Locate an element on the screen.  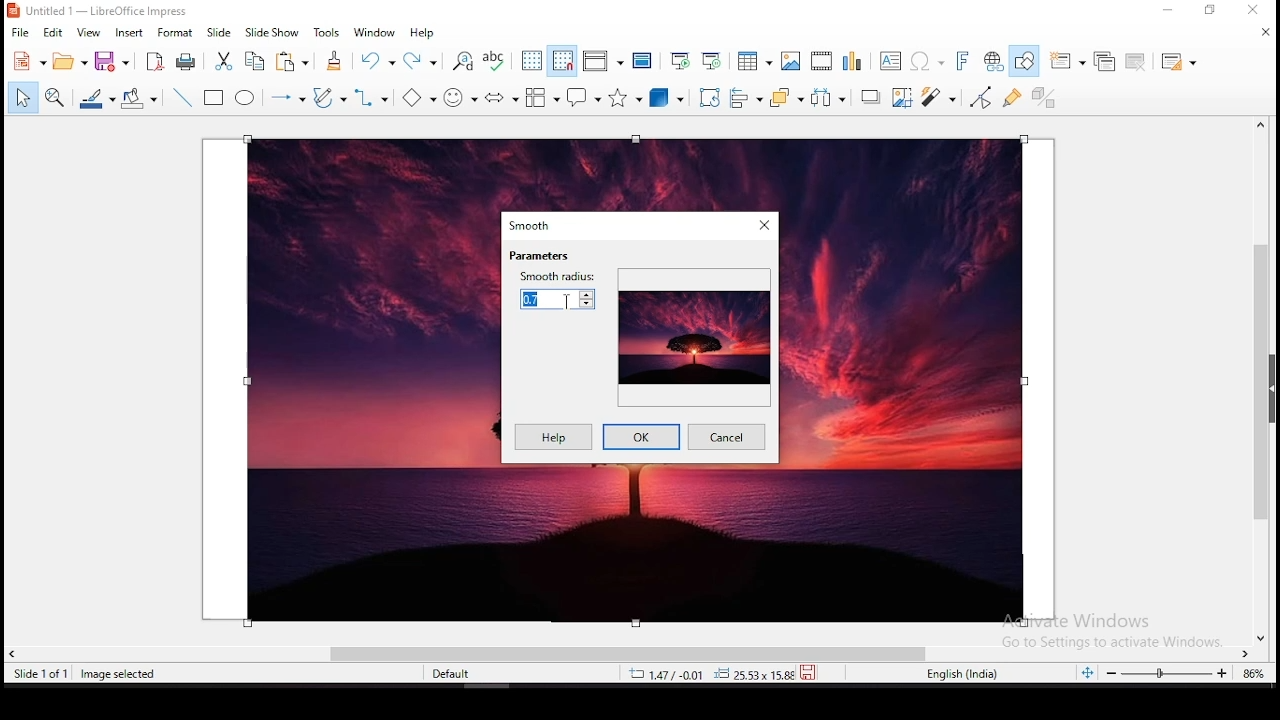
line color is located at coordinates (97, 97).